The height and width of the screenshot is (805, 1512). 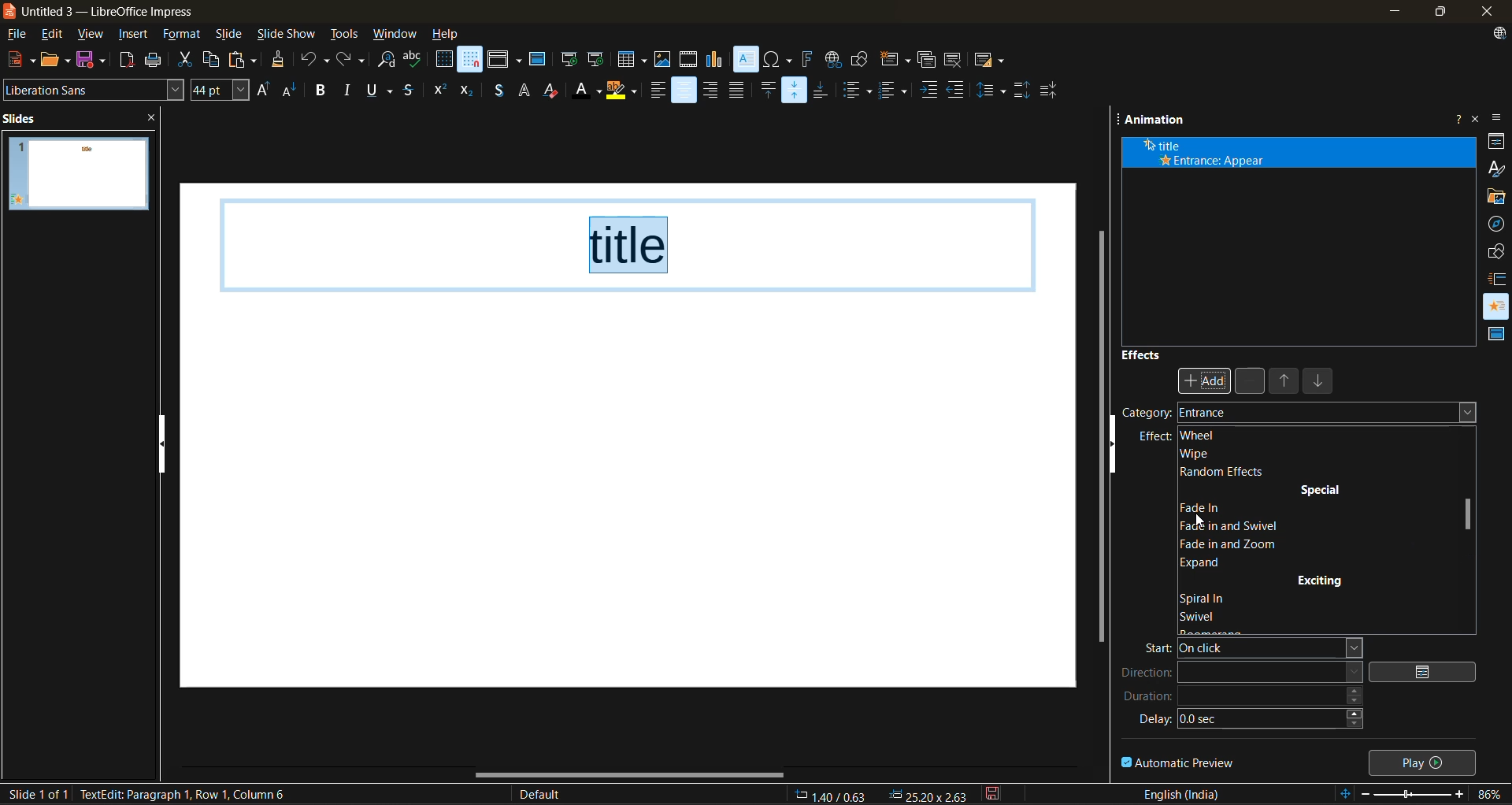 I want to click on special, so click(x=1319, y=492).